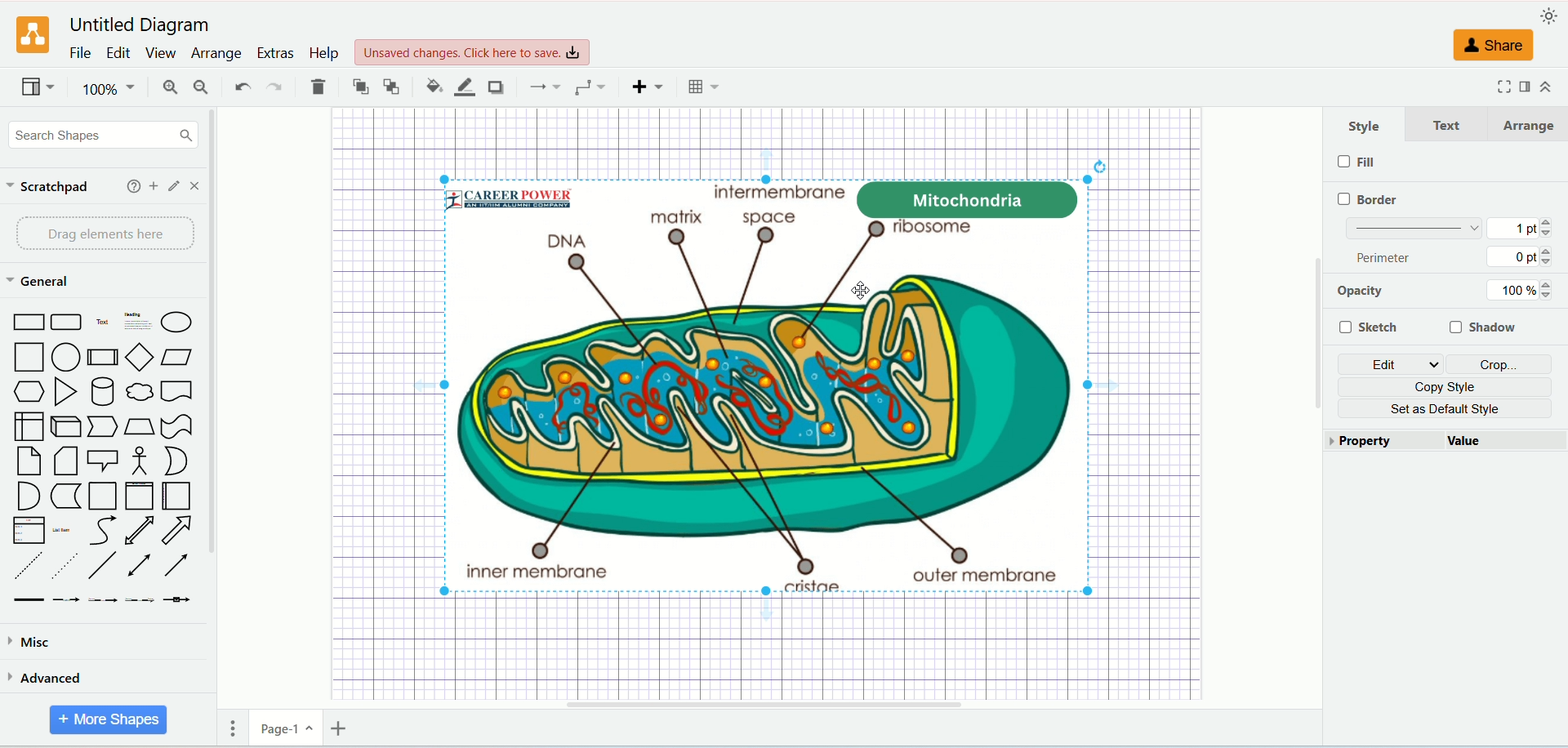 This screenshot has height=748, width=1568. What do you see at coordinates (115, 51) in the screenshot?
I see `edit` at bounding box center [115, 51].